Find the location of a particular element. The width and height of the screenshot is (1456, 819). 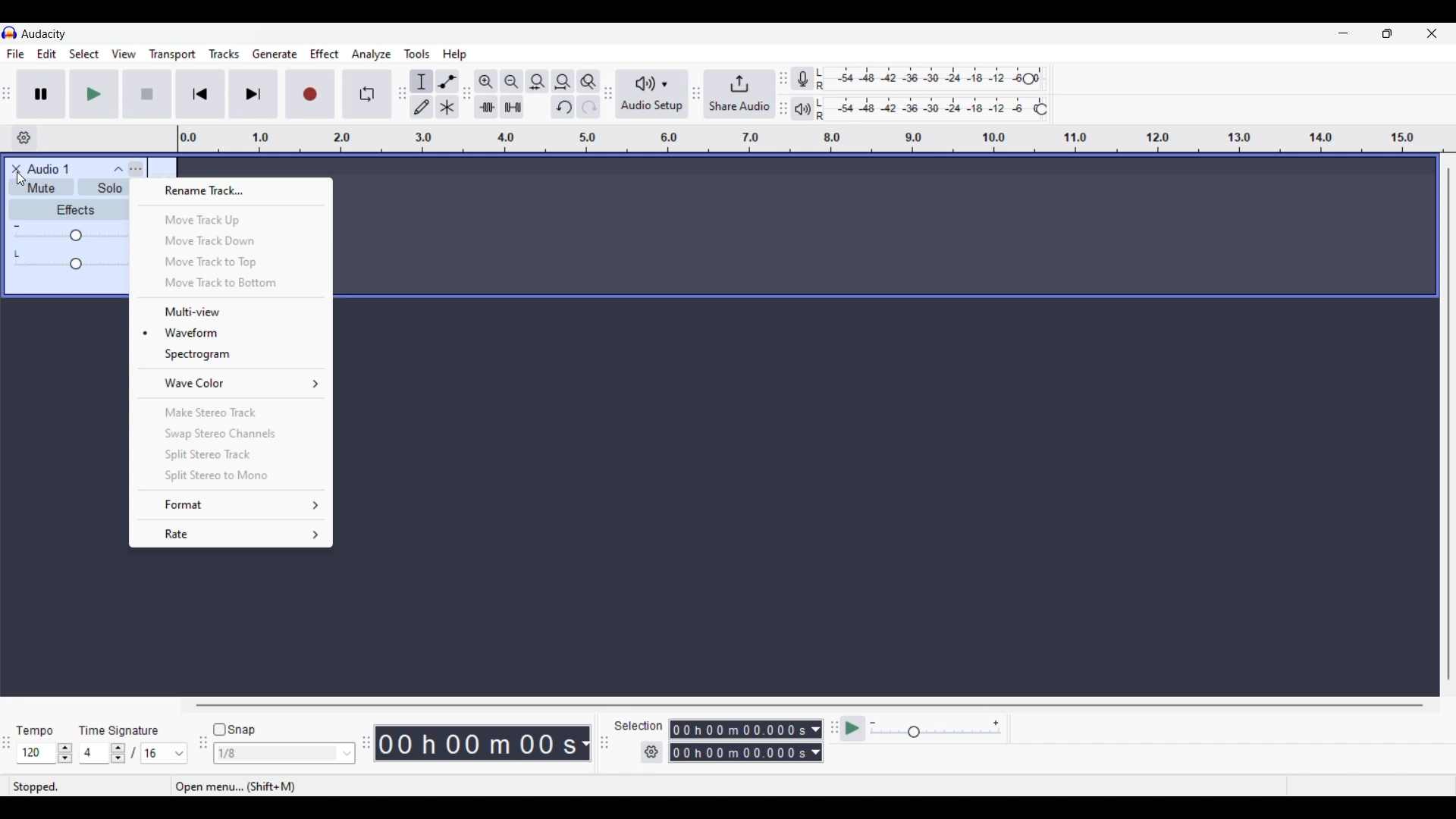

Transport menu is located at coordinates (173, 54).